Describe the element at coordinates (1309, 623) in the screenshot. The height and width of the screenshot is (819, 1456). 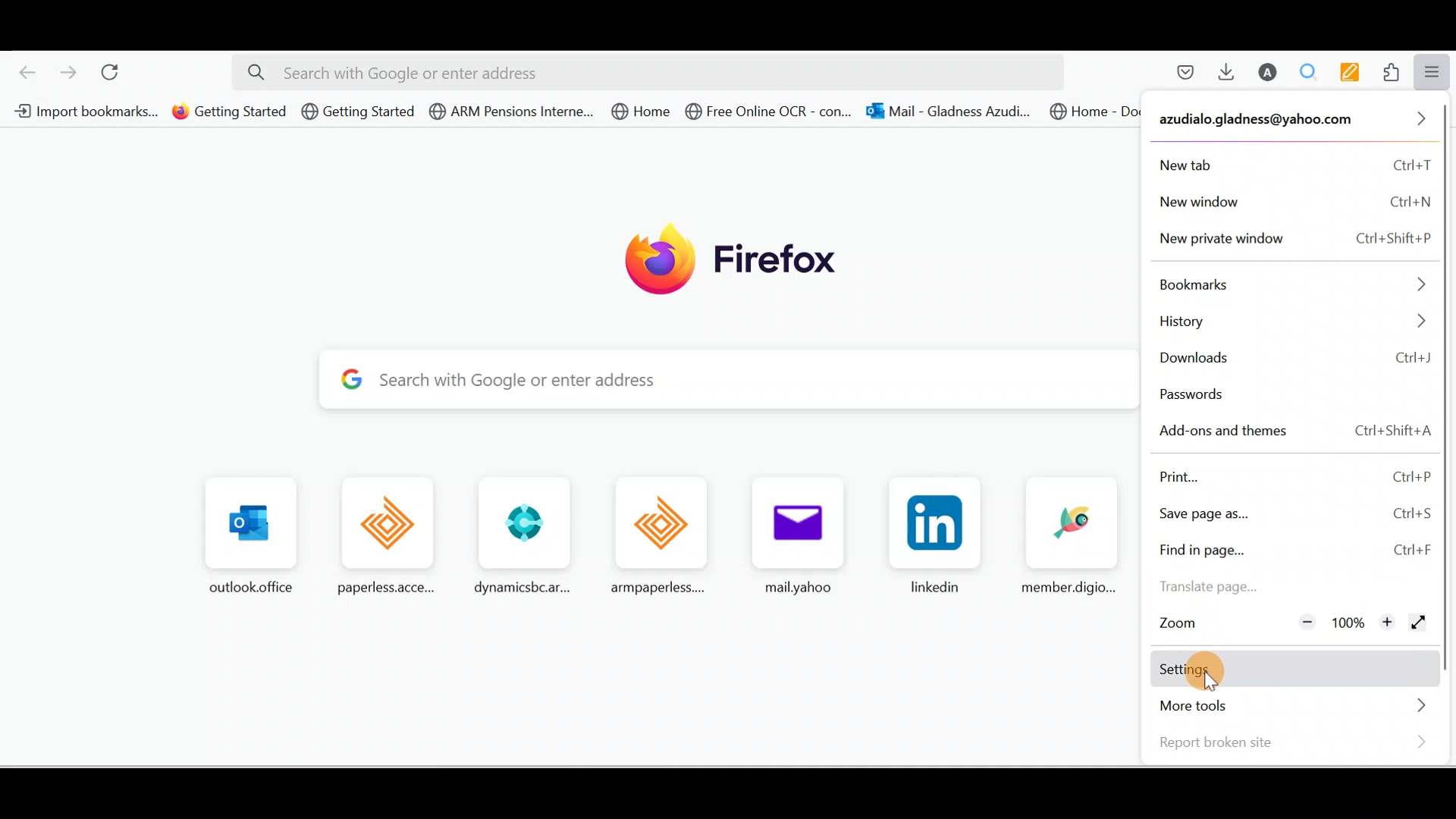
I see `Zoom out` at that location.